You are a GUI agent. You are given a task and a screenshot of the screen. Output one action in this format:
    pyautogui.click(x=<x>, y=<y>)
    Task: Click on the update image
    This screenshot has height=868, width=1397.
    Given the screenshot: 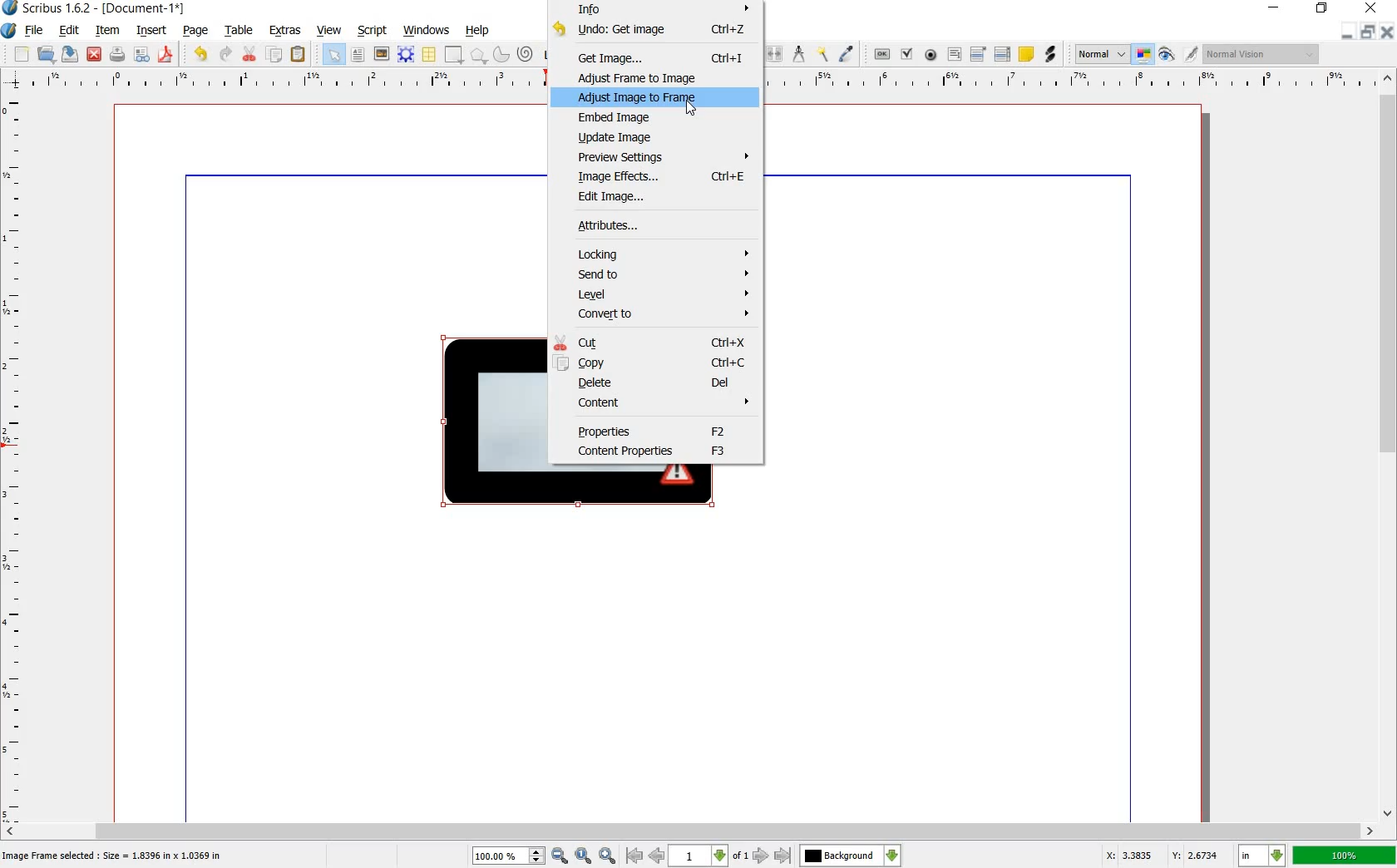 What is the action you would take?
    pyautogui.click(x=622, y=137)
    